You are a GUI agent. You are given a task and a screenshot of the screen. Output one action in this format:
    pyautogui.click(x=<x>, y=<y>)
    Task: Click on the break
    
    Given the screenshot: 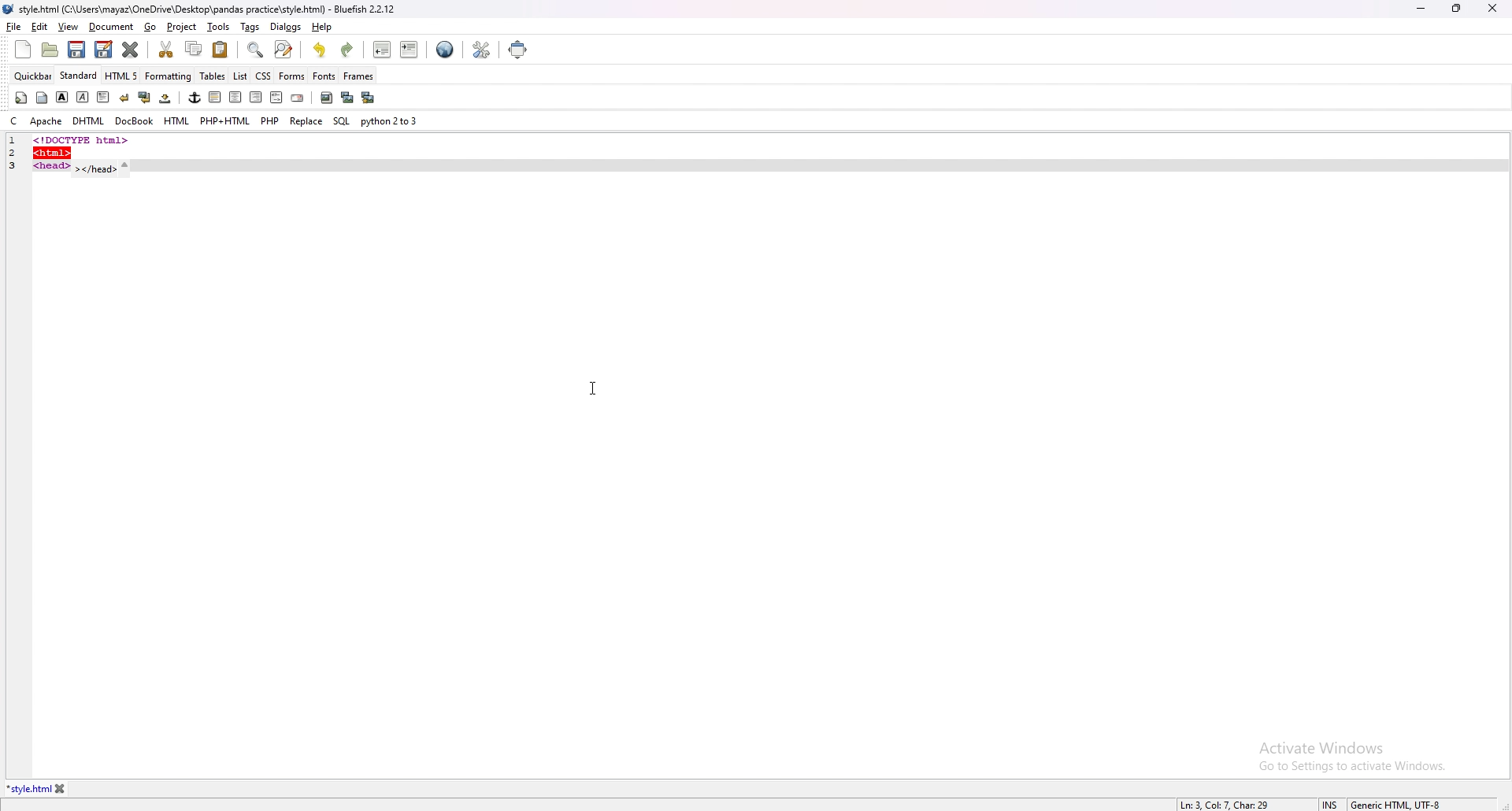 What is the action you would take?
    pyautogui.click(x=124, y=97)
    